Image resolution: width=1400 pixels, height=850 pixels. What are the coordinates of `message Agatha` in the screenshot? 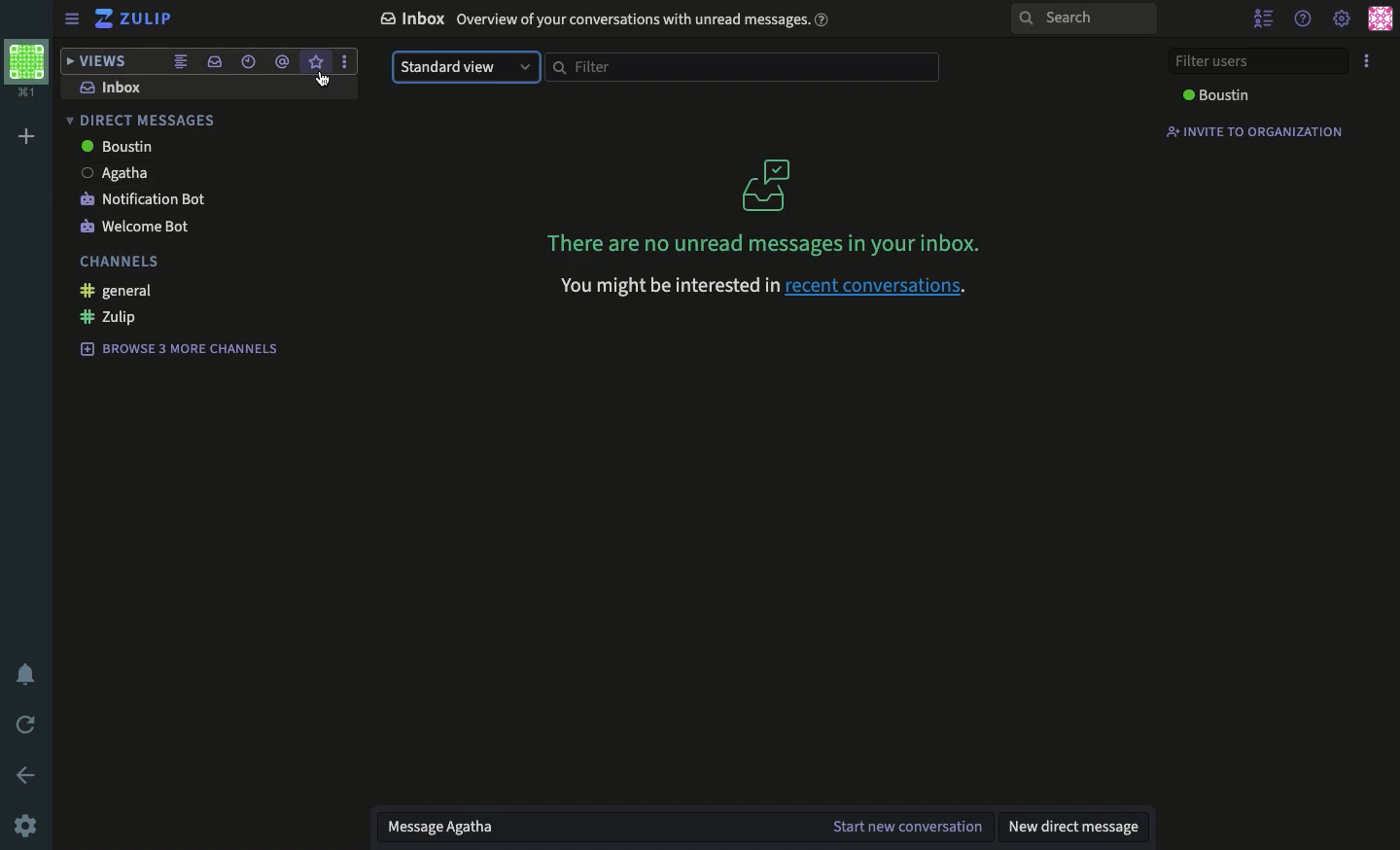 It's located at (450, 826).